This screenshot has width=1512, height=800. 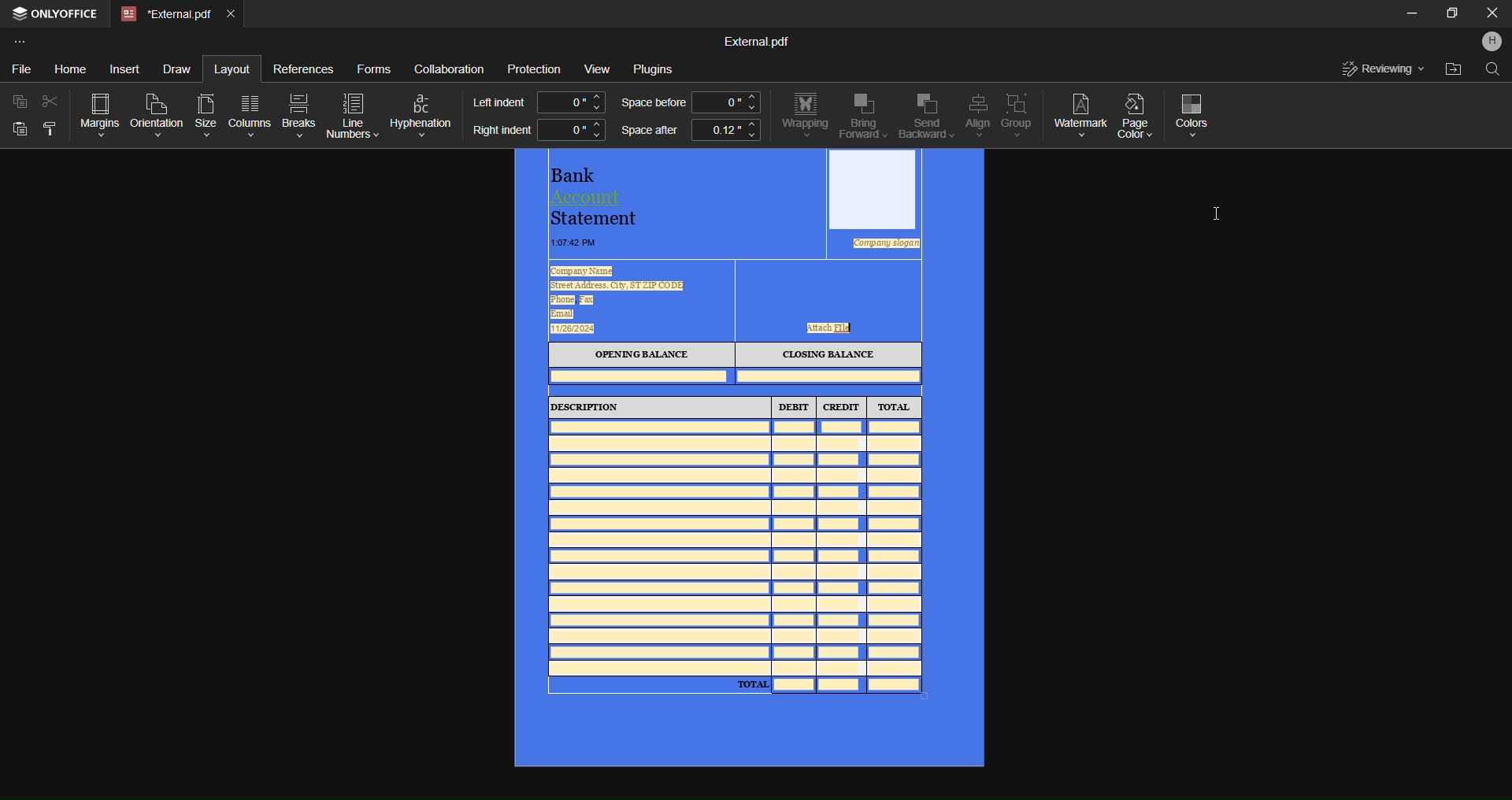 What do you see at coordinates (1017, 115) in the screenshot?
I see `Groups` at bounding box center [1017, 115].